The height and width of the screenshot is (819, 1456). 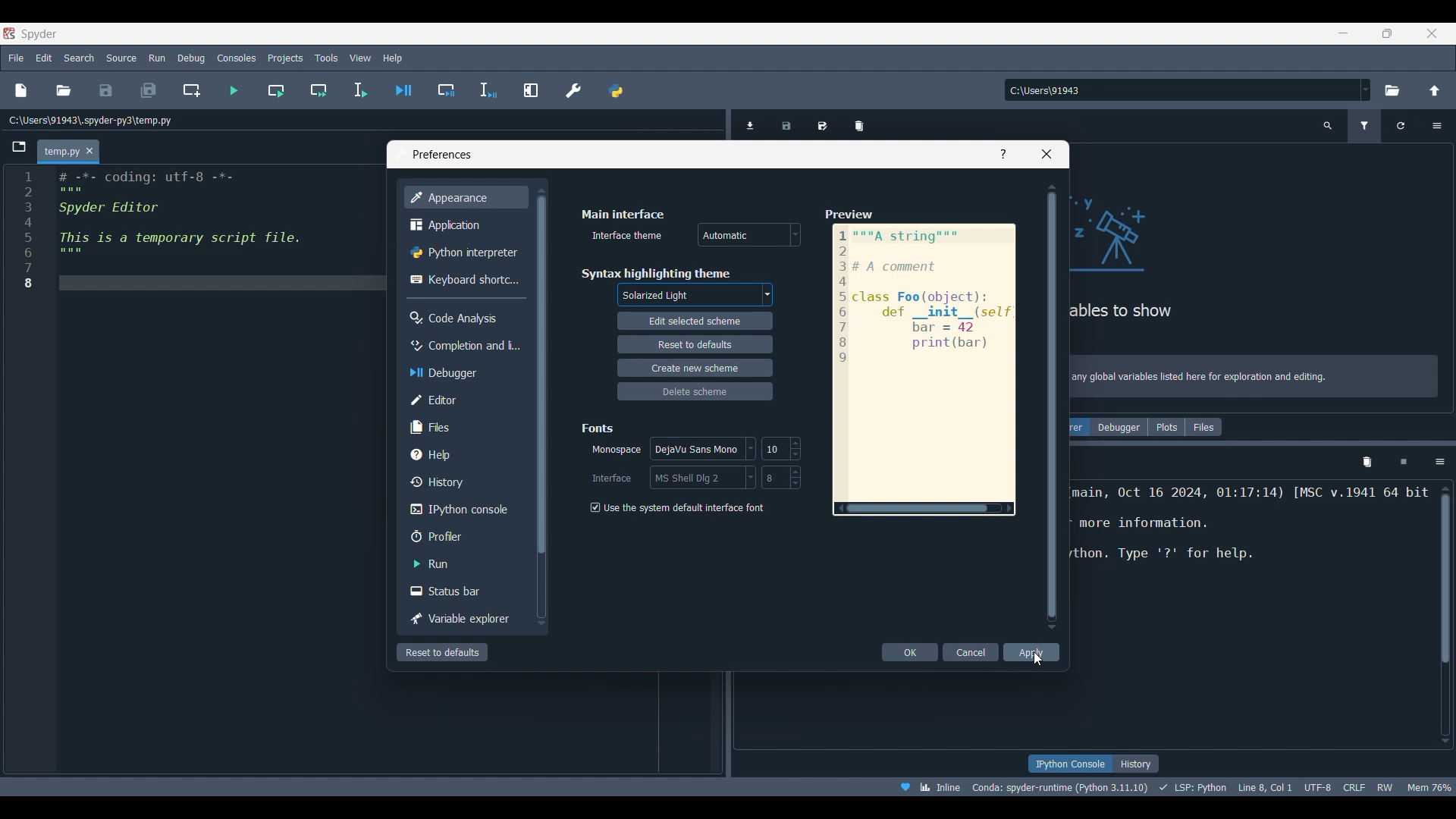 I want to click on File menu, so click(x=17, y=58).